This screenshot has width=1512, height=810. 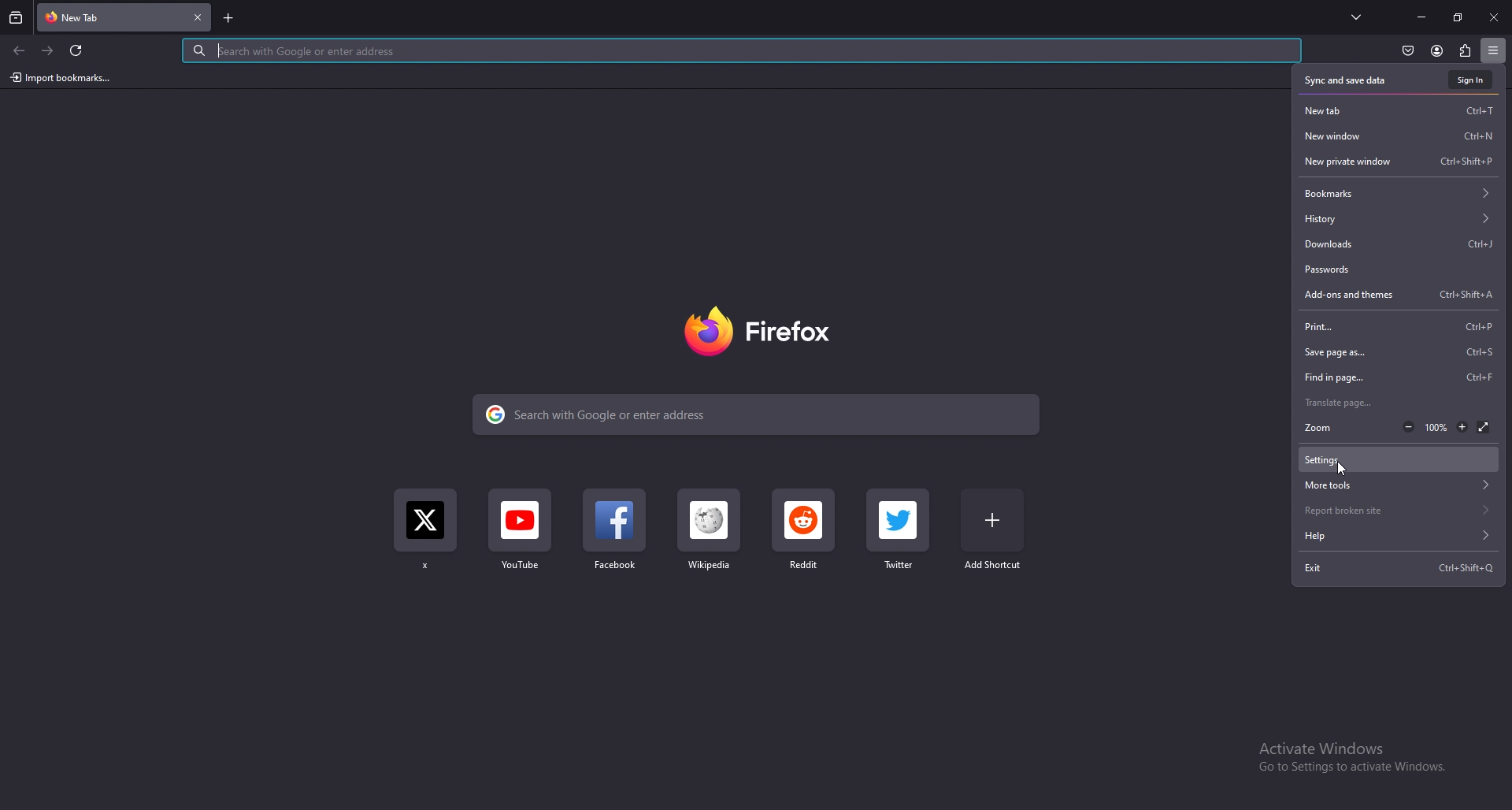 What do you see at coordinates (1423, 17) in the screenshot?
I see `minimize` at bounding box center [1423, 17].